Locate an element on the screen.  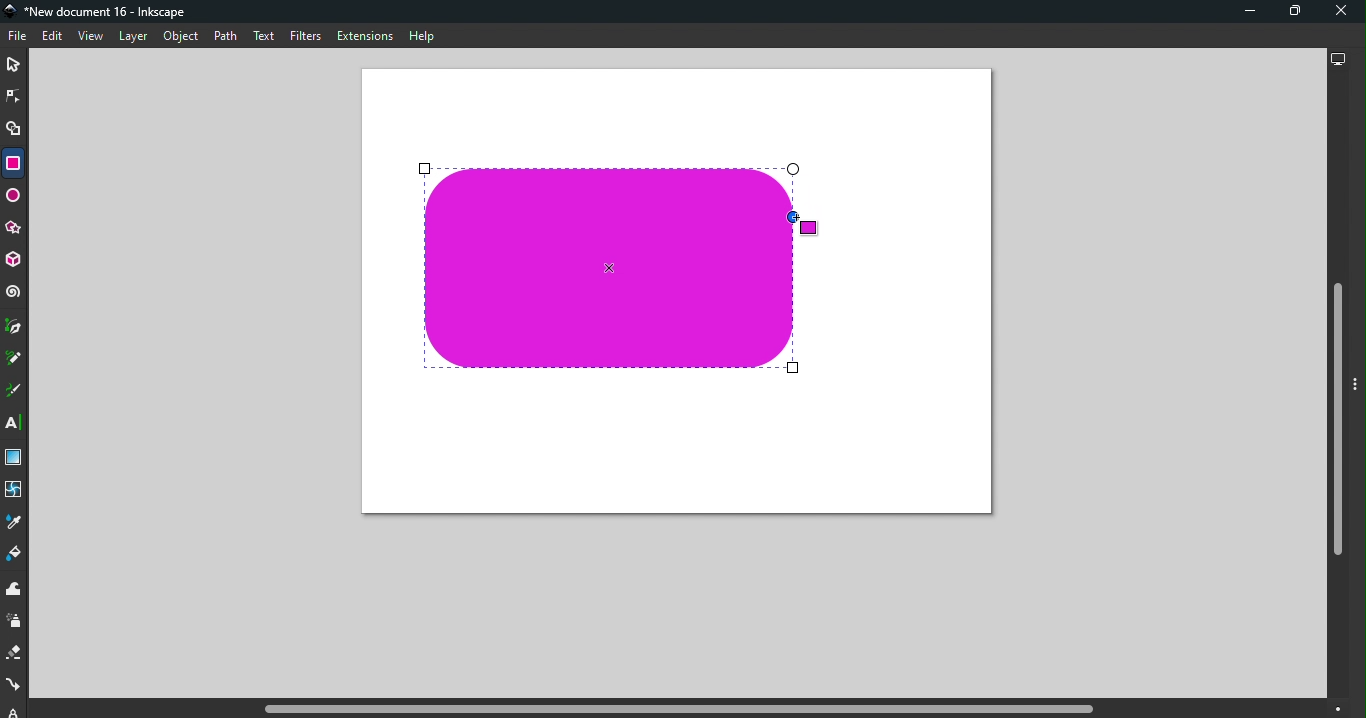
Vertical scroll bar is located at coordinates (1336, 387).